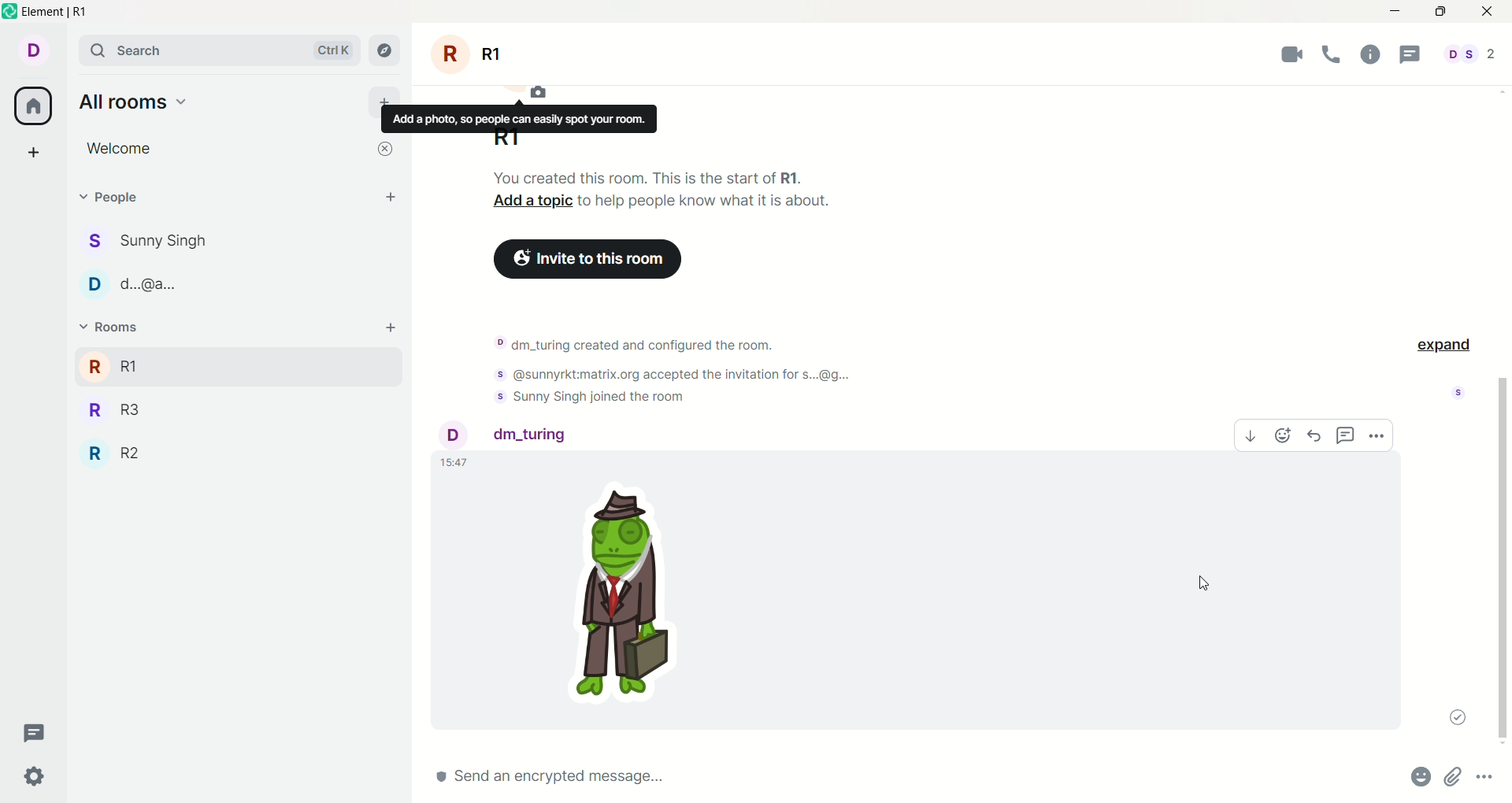 Image resolution: width=1512 pixels, height=803 pixels. What do you see at coordinates (684, 375) in the screenshot?
I see `Notification` at bounding box center [684, 375].